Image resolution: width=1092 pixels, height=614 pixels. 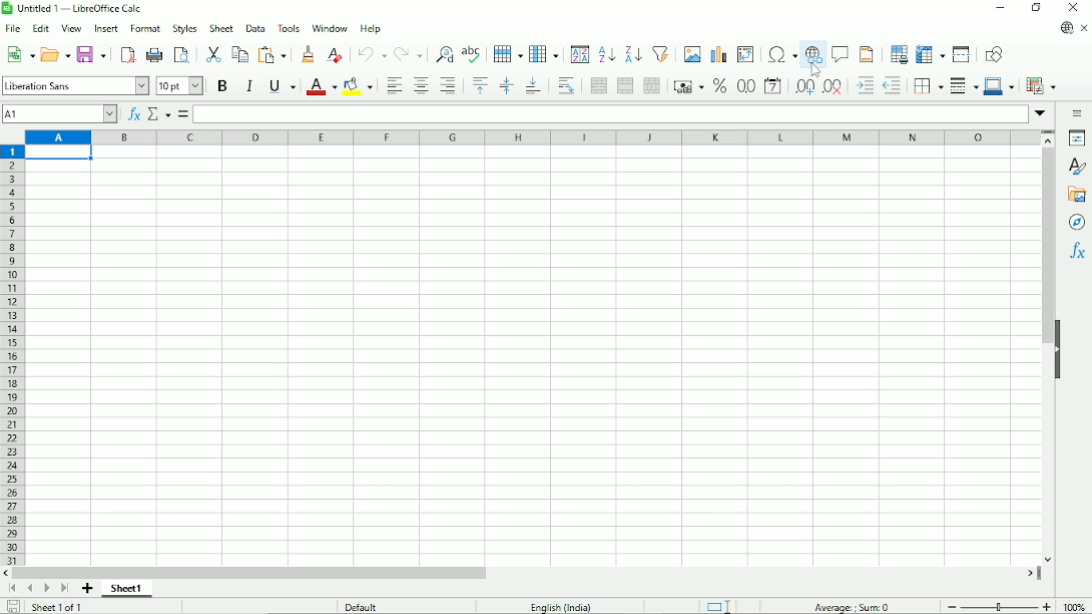 I want to click on Bold, so click(x=222, y=86).